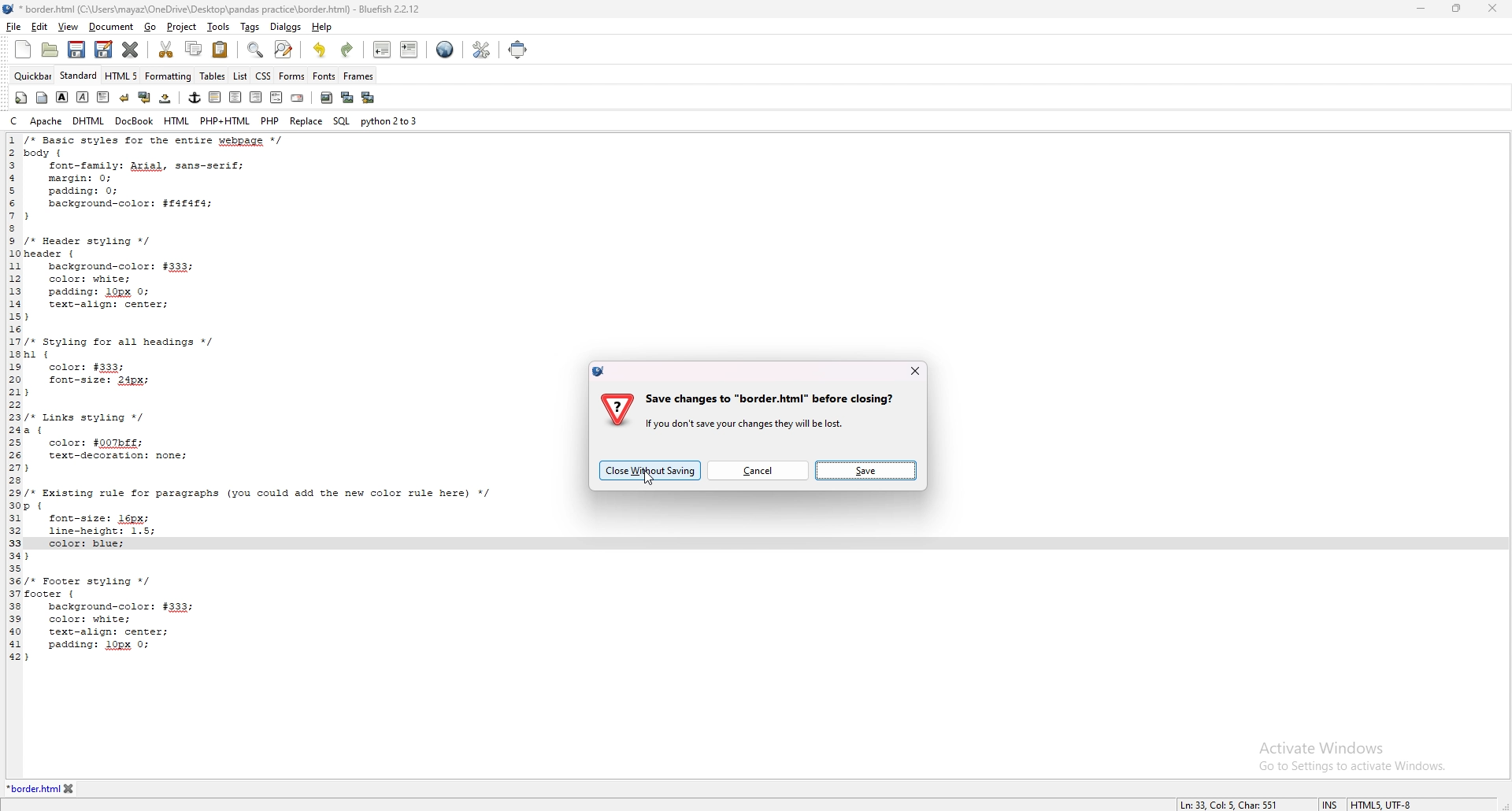 The image size is (1512, 811). What do you see at coordinates (617, 410) in the screenshot?
I see `warning logo` at bounding box center [617, 410].